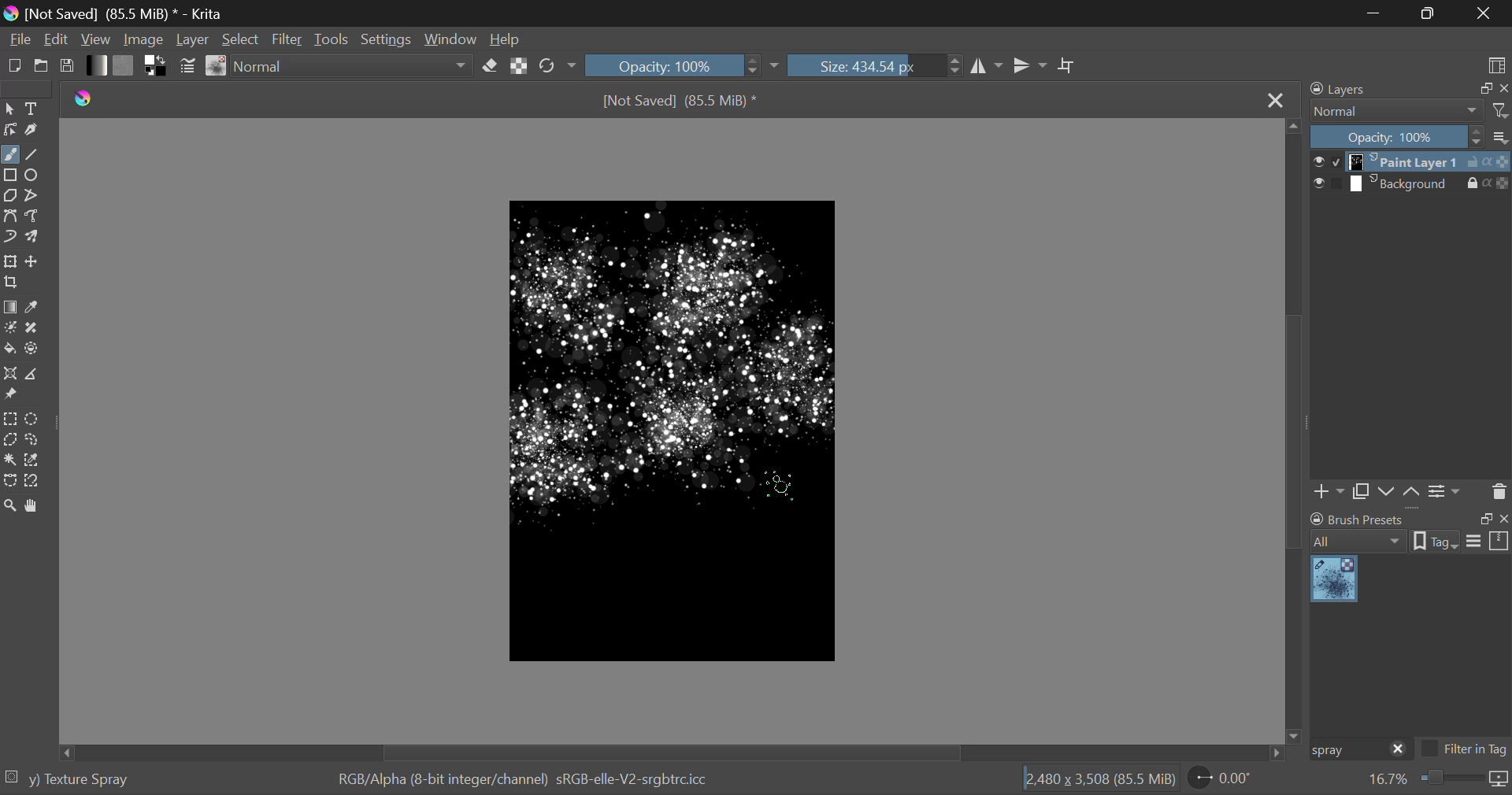 Image resolution: width=1512 pixels, height=795 pixels. Describe the element at coordinates (1361, 494) in the screenshot. I see `Copy Layer` at that location.